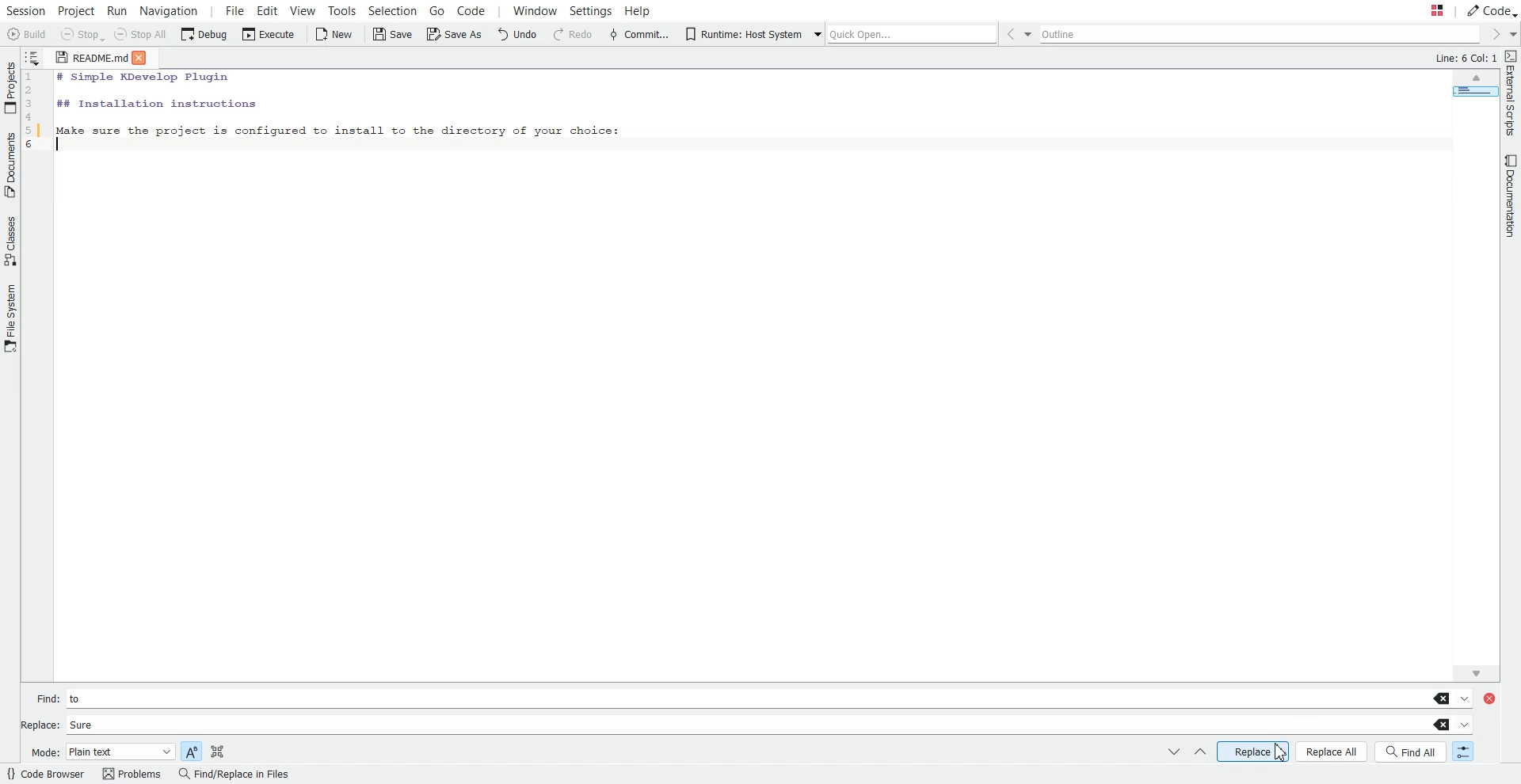 The height and width of the screenshot is (784, 1521). Describe the element at coordinates (77, 10) in the screenshot. I see `Project` at that location.